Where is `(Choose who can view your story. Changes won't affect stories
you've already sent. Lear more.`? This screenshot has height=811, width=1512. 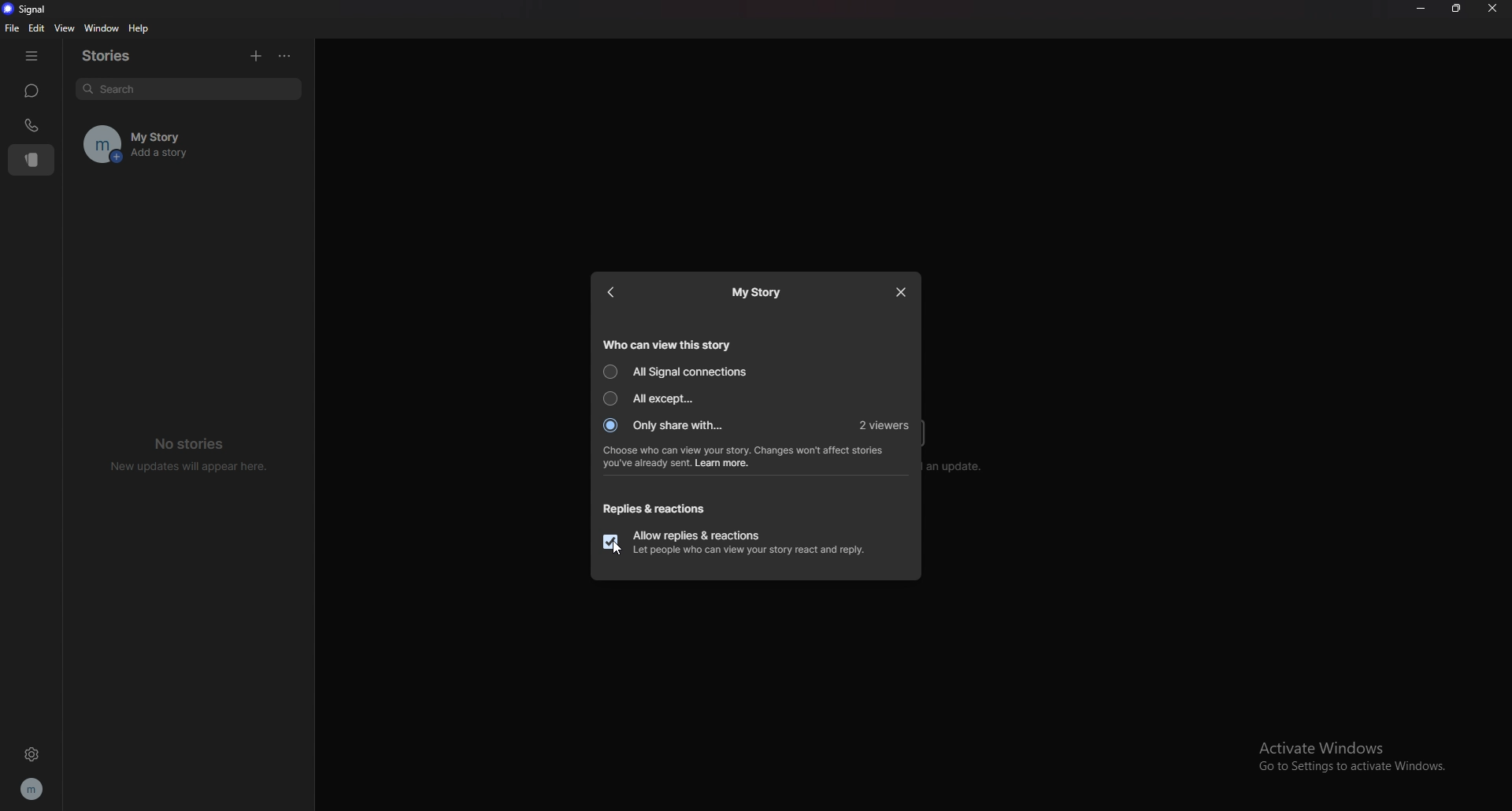 (Choose who can view your story. Changes won't affect stories
you've already sent. Lear more. is located at coordinates (747, 458).